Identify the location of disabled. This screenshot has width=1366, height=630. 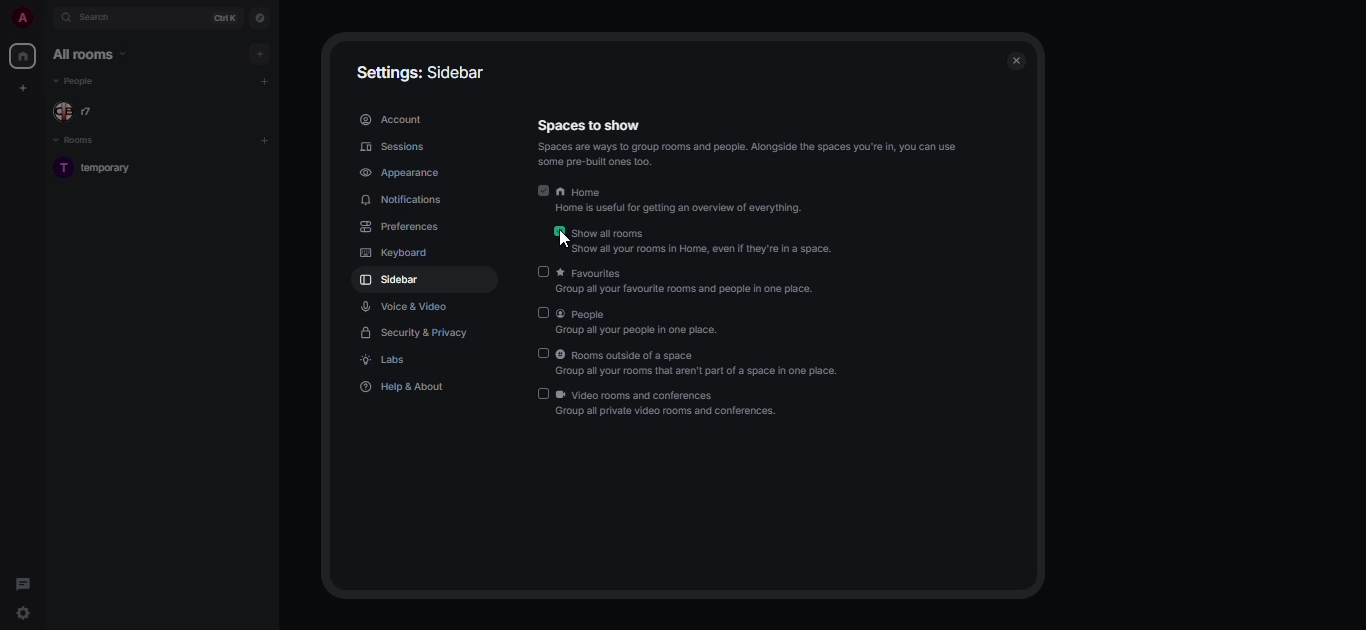
(543, 353).